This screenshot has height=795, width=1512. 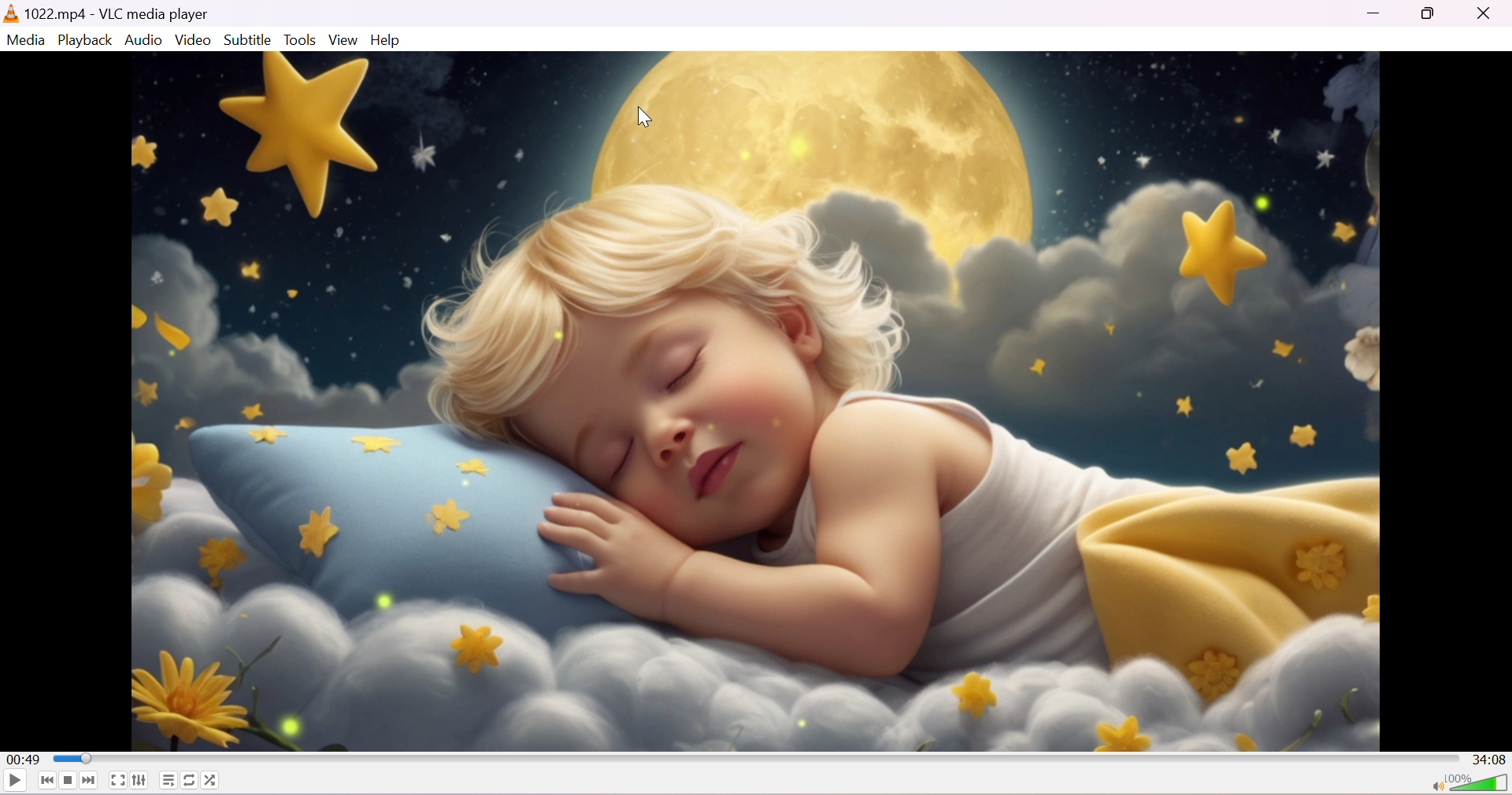 I want to click on Random, so click(x=210, y=781).